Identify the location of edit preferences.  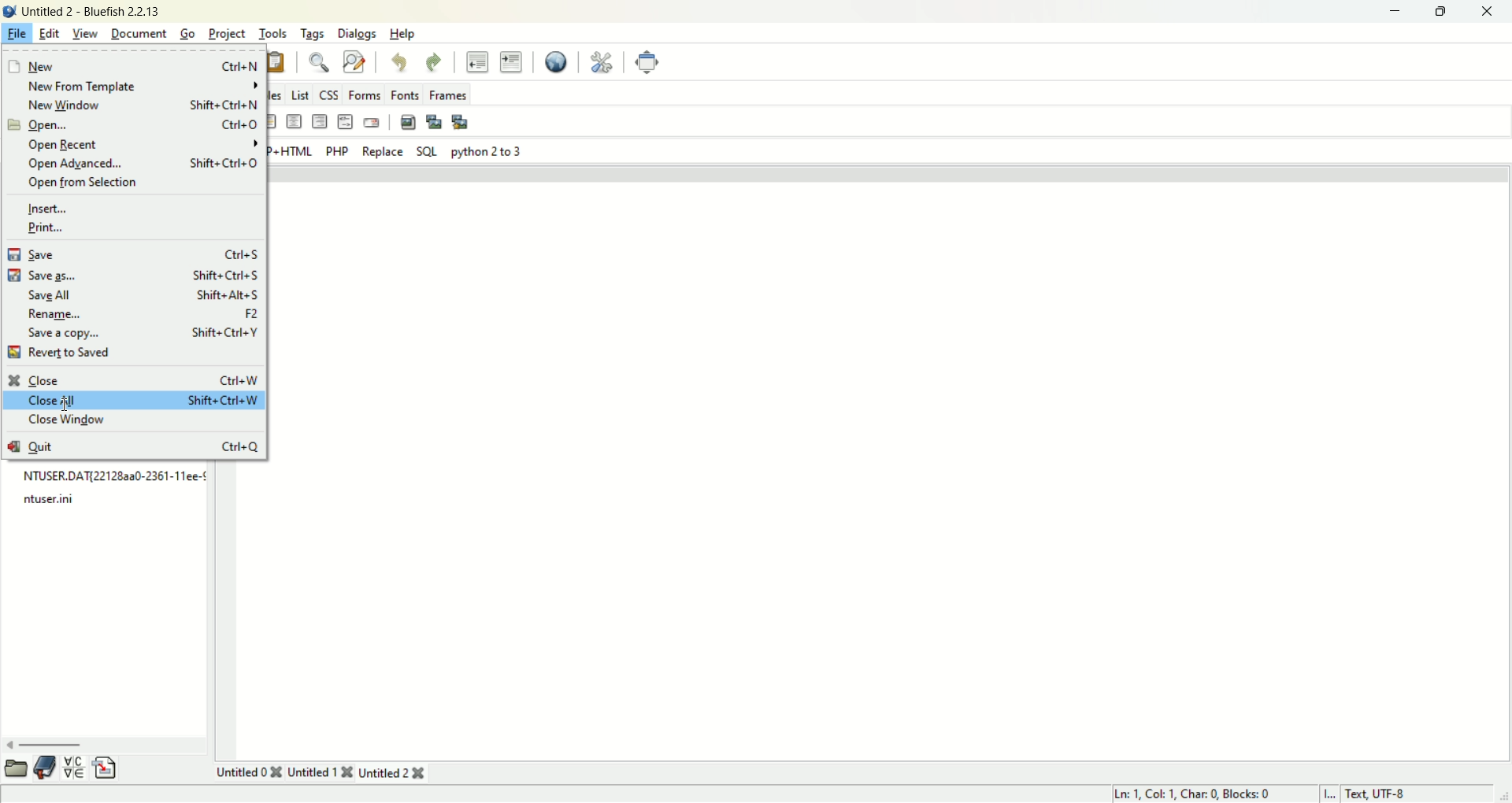
(602, 60).